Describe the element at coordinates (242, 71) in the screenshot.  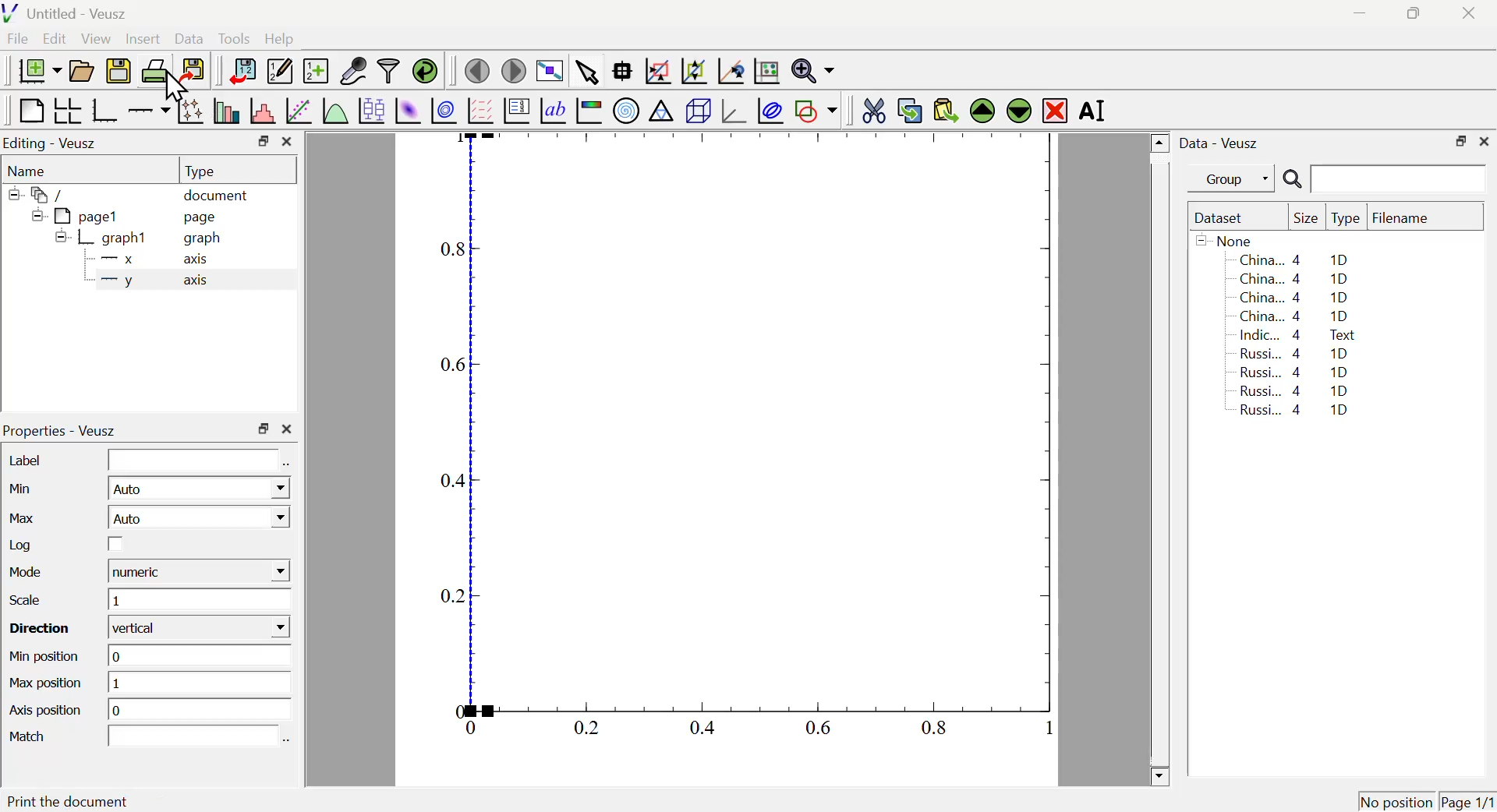
I see `Import Data` at that location.